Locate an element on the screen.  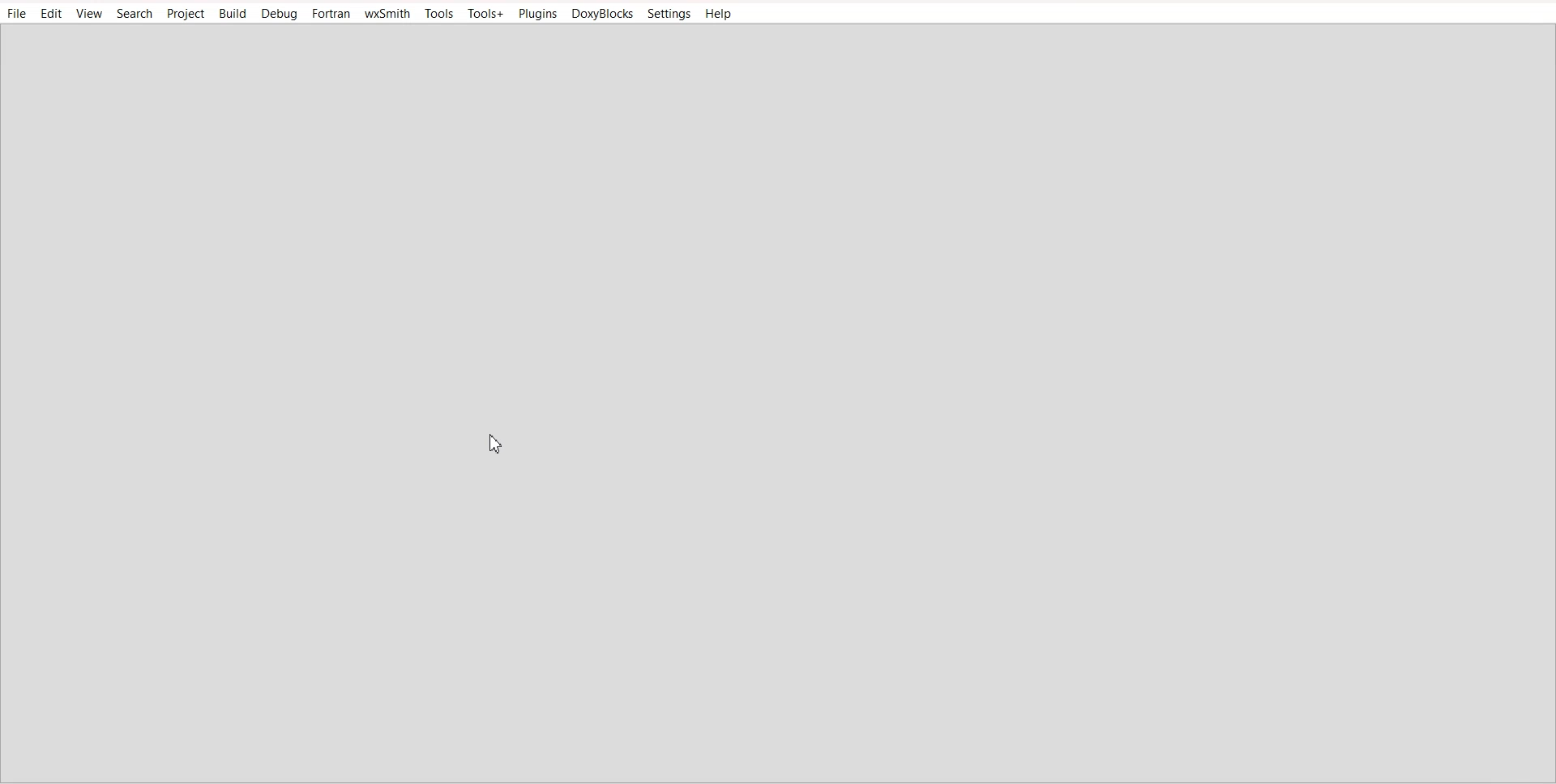
Search is located at coordinates (135, 13).